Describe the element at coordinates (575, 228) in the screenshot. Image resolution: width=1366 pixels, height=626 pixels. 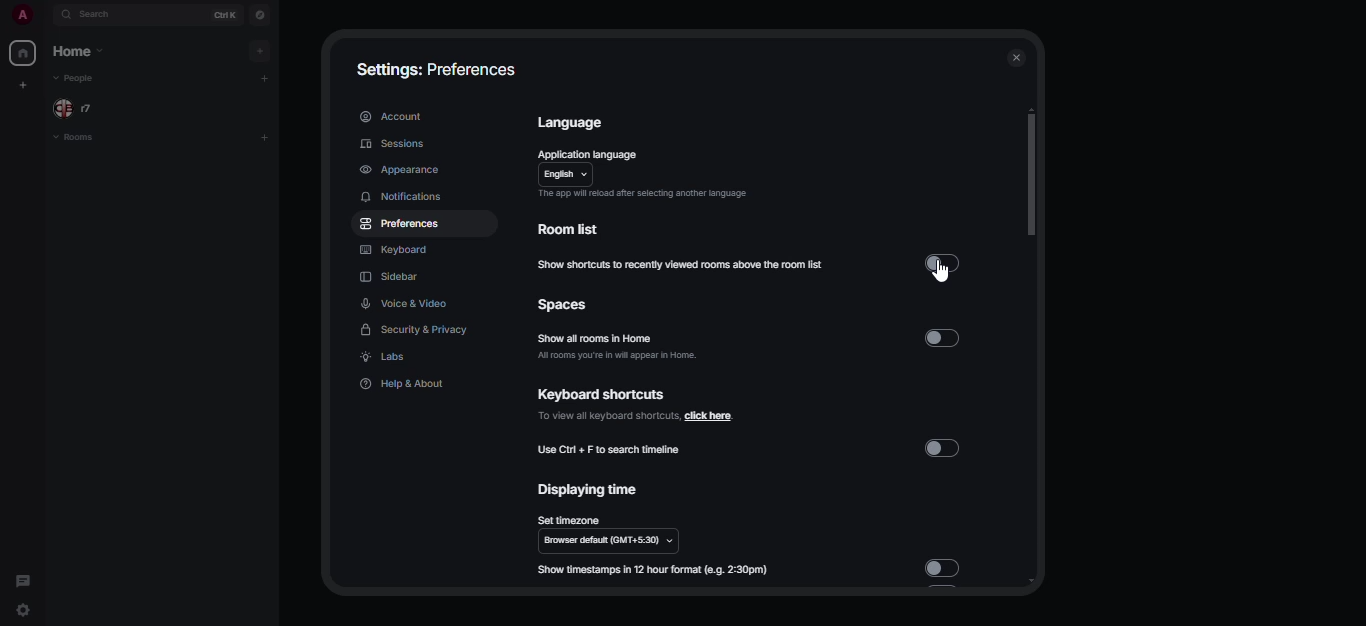
I see `room list` at that location.